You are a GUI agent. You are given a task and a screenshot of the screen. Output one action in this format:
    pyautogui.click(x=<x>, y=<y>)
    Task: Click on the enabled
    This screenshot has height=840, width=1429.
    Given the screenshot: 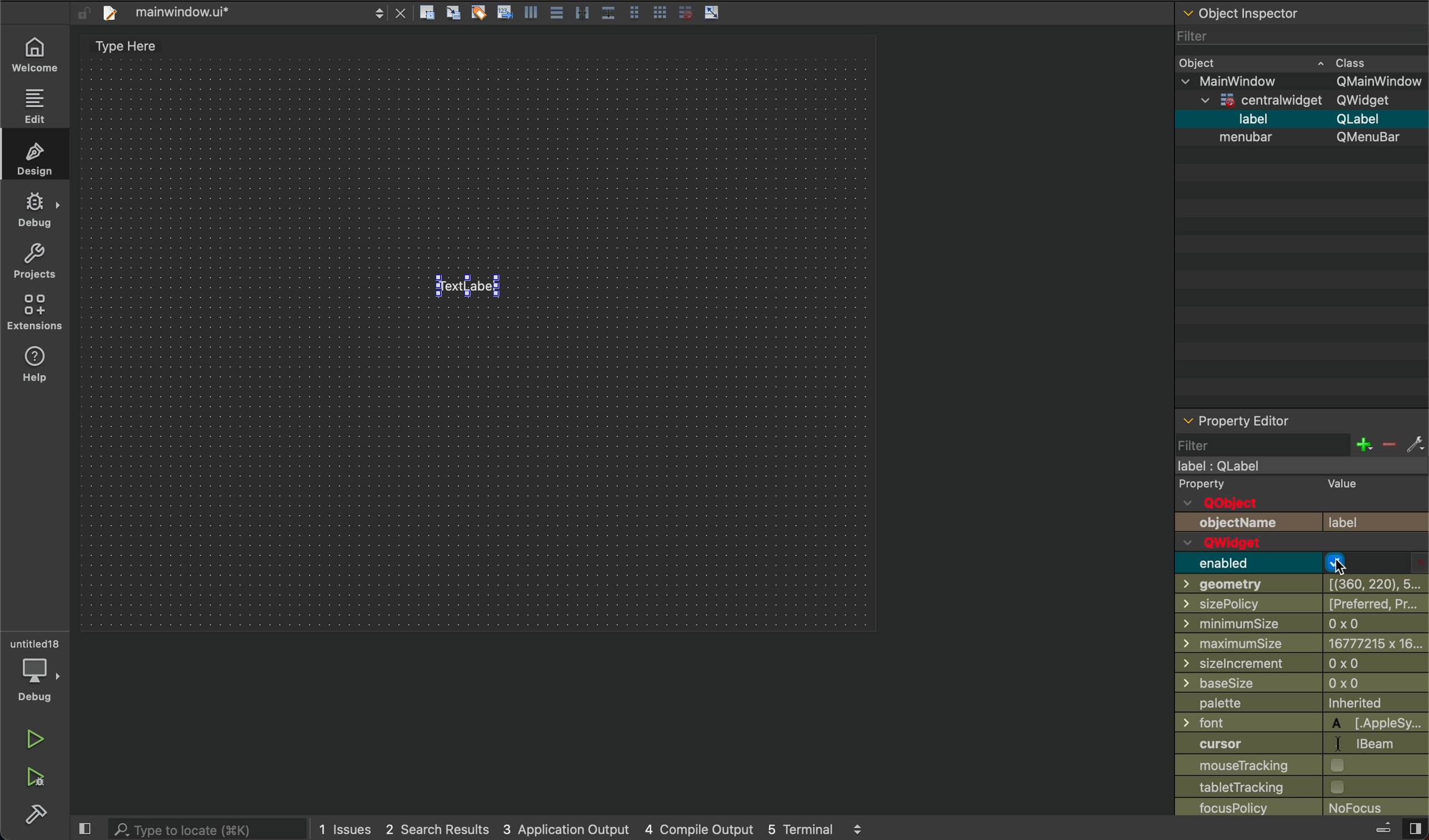 What is the action you would take?
    pyautogui.click(x=1244, y=563)
    